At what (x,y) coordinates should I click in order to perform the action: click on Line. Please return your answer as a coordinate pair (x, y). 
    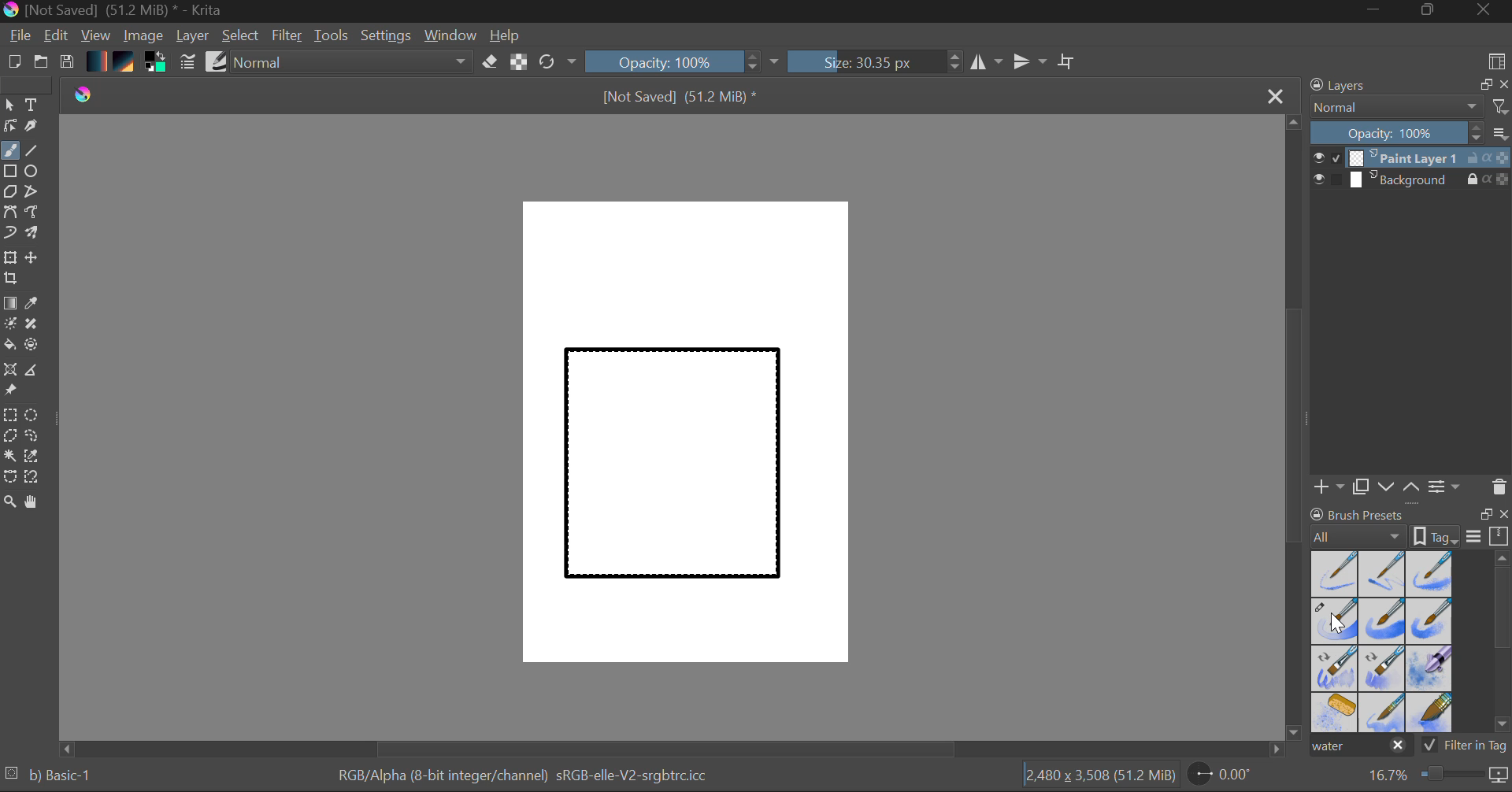
    Looking at the image, I should click on (32, 151).